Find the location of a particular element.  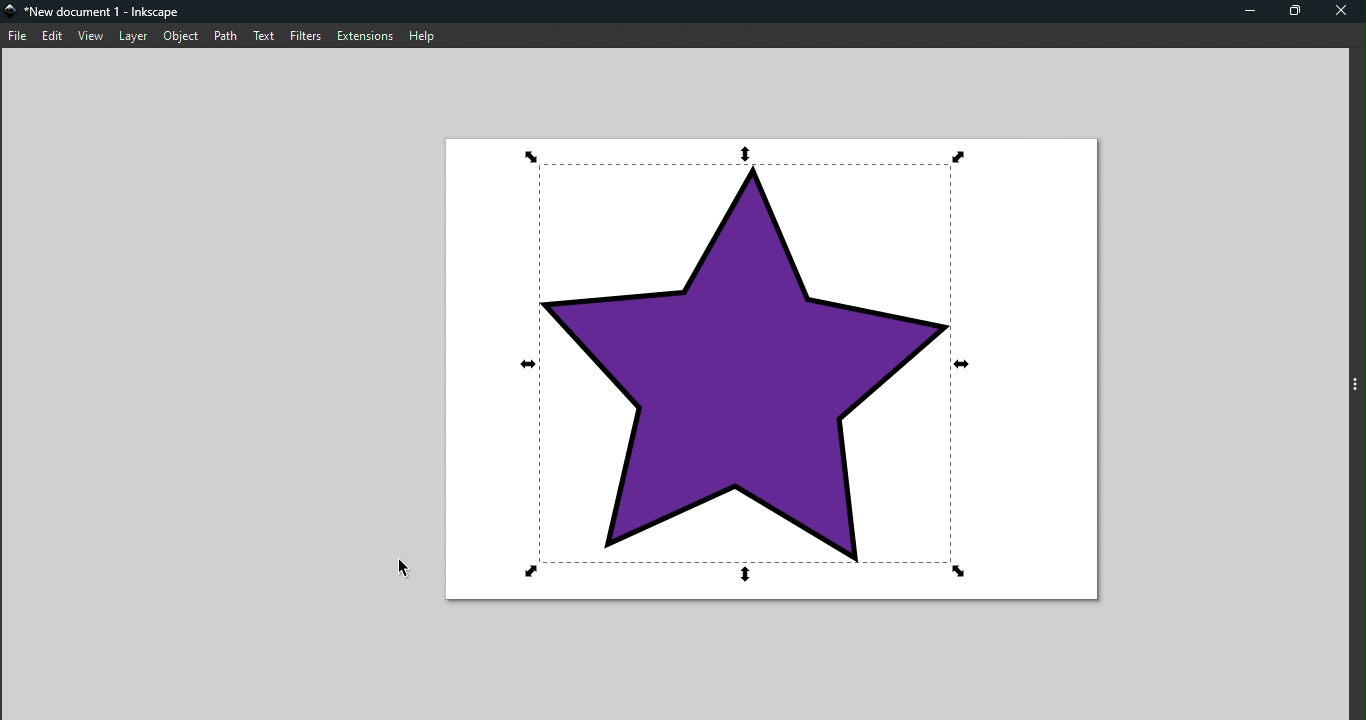

Path is located at coordinates (224, 36).